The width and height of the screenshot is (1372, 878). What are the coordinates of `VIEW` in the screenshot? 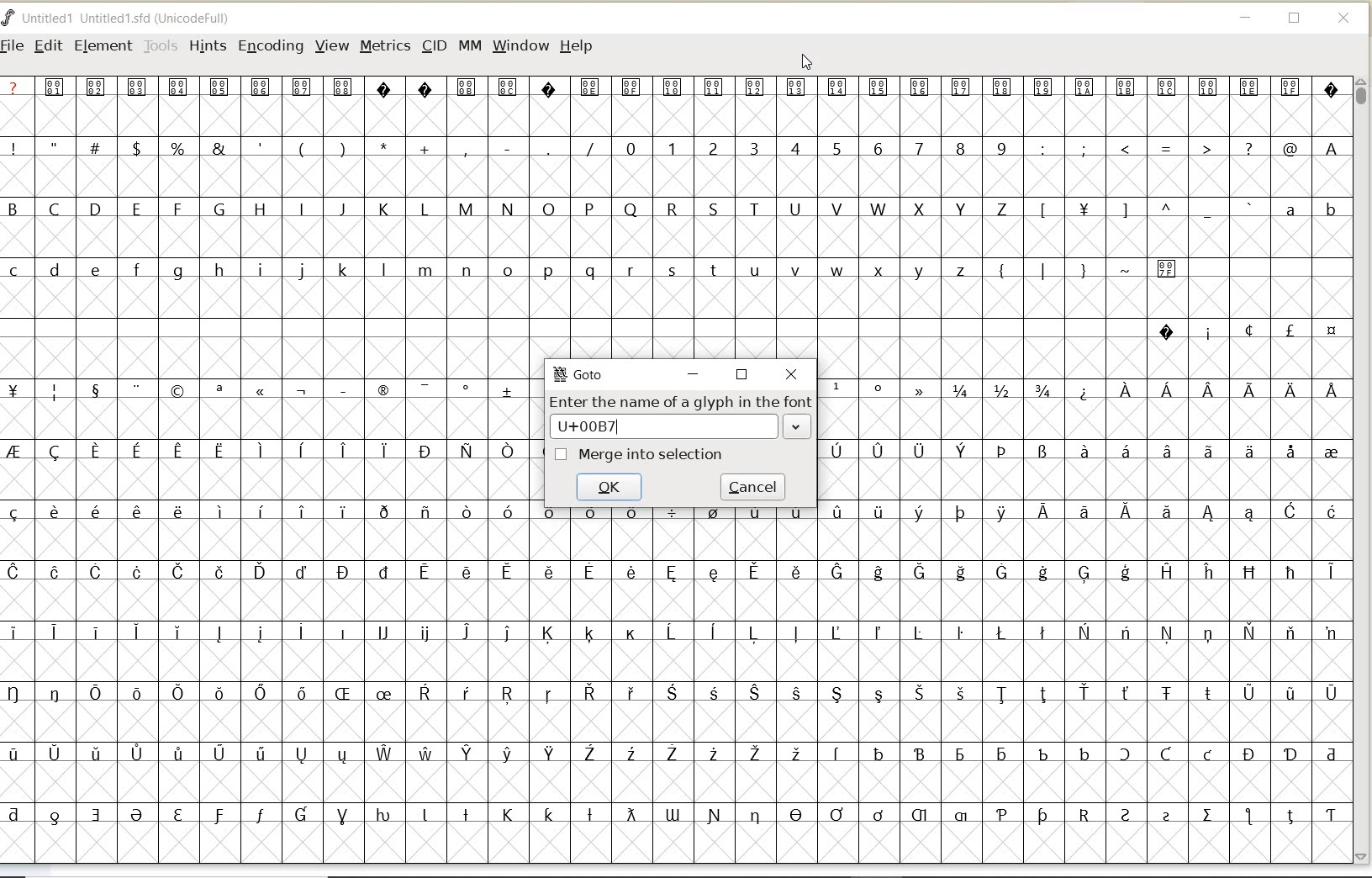 It's located at (332, 46).